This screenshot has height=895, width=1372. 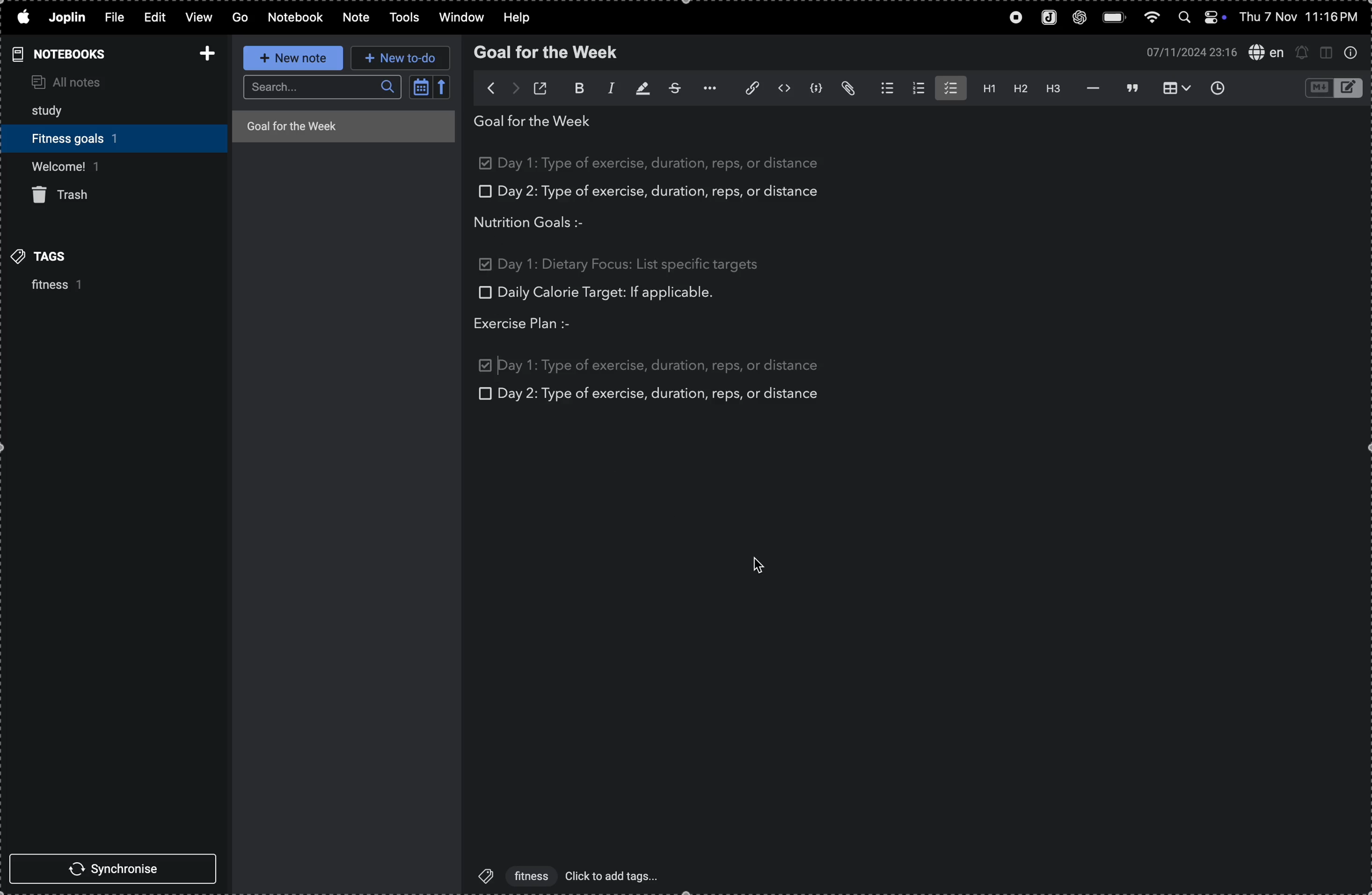 I want to click on note, so click(x=355, y=18).